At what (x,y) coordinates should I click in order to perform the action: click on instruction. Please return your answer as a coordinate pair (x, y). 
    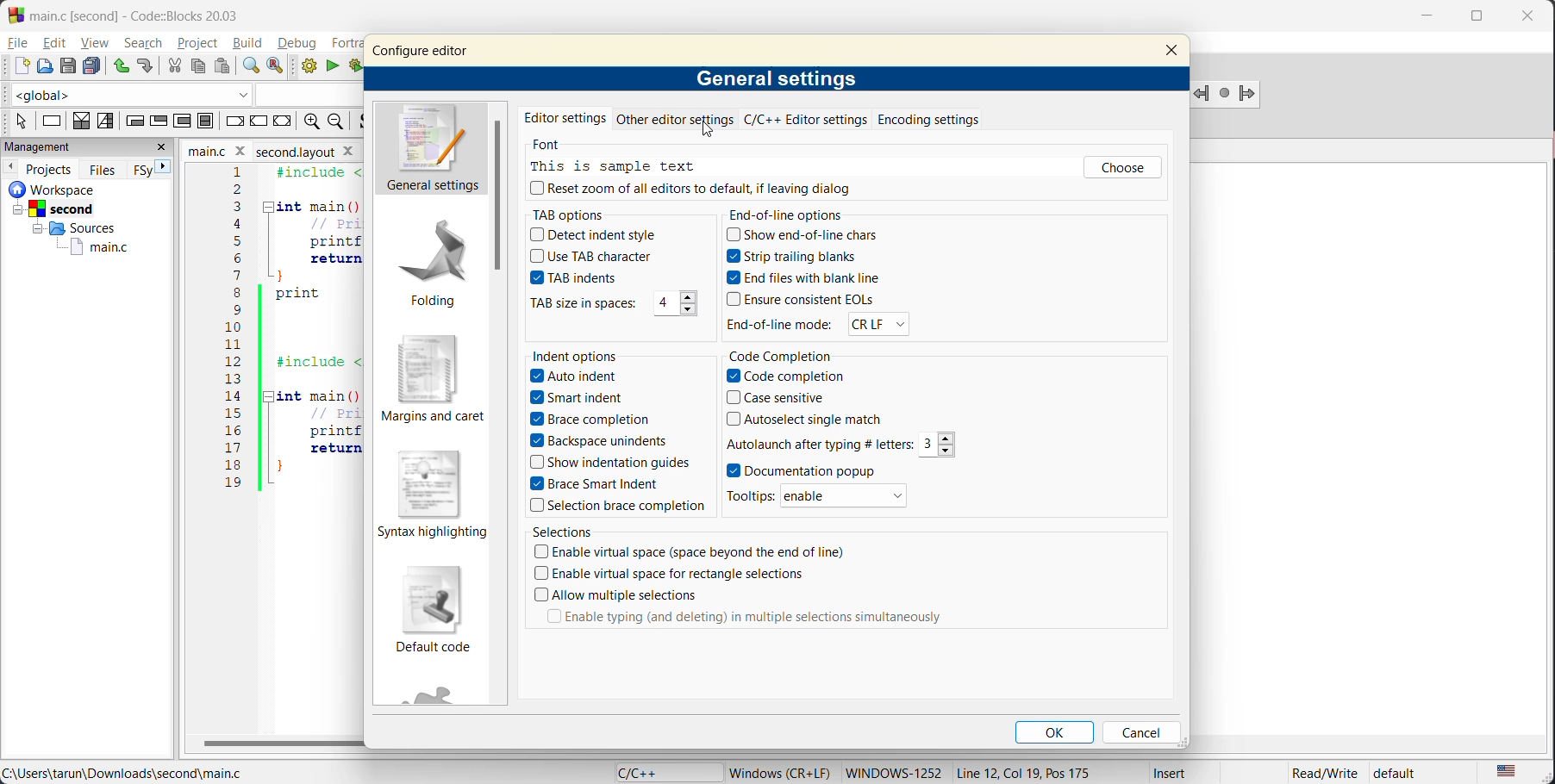
    Looking at the image, I should click on (51, 120).